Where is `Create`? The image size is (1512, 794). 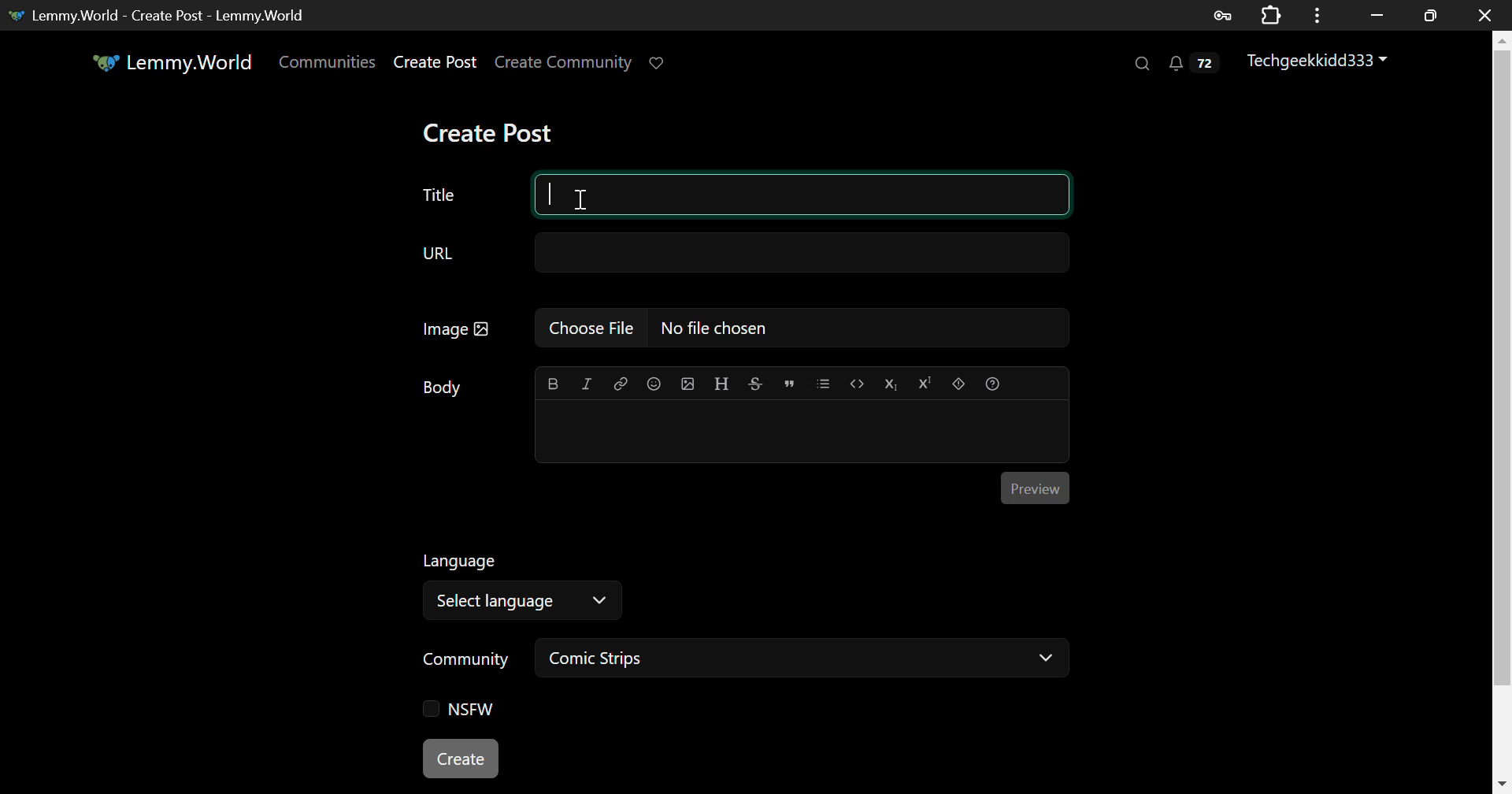 Create is located at coordinates (462, 760).